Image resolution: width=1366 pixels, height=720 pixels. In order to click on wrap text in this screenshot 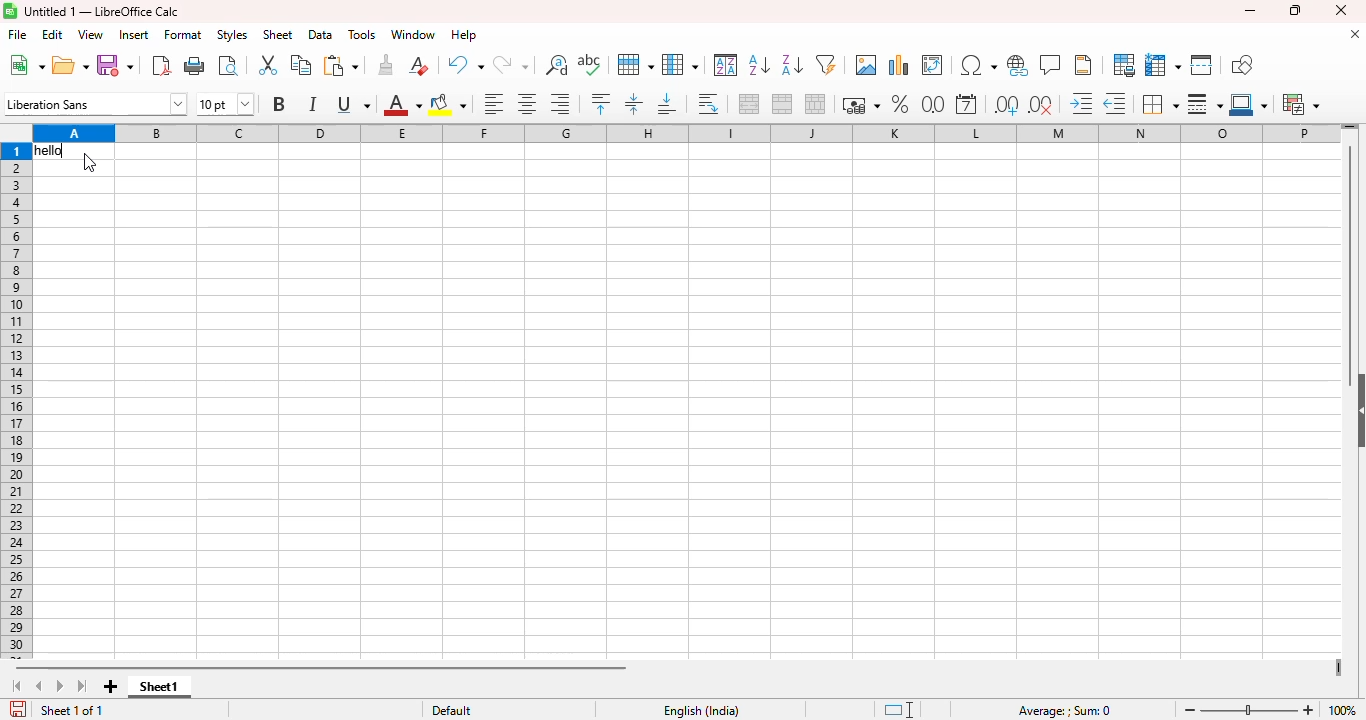, I will do `click(708, 104)`.